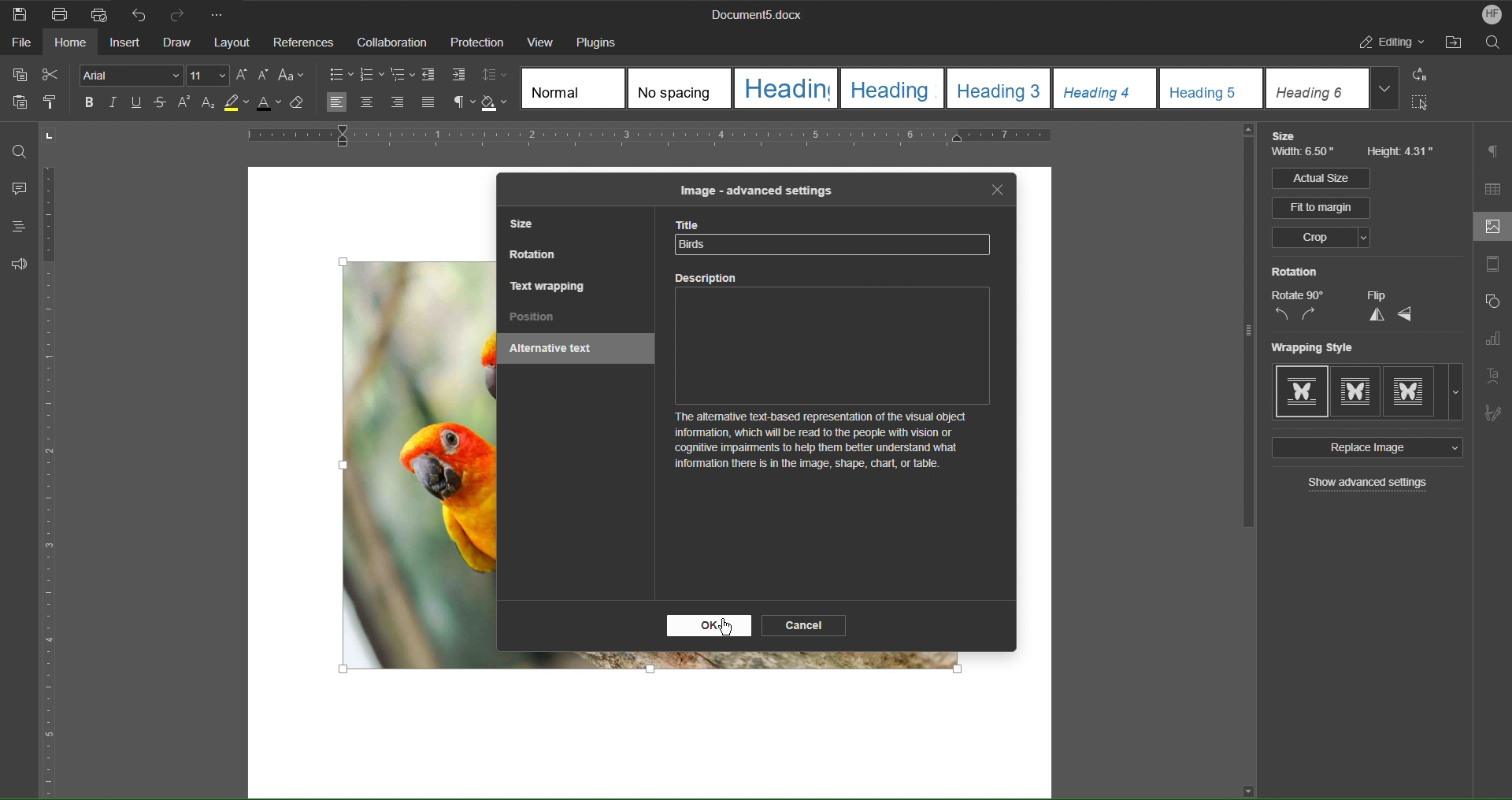  I want to click on Protection, so click(477, 43).